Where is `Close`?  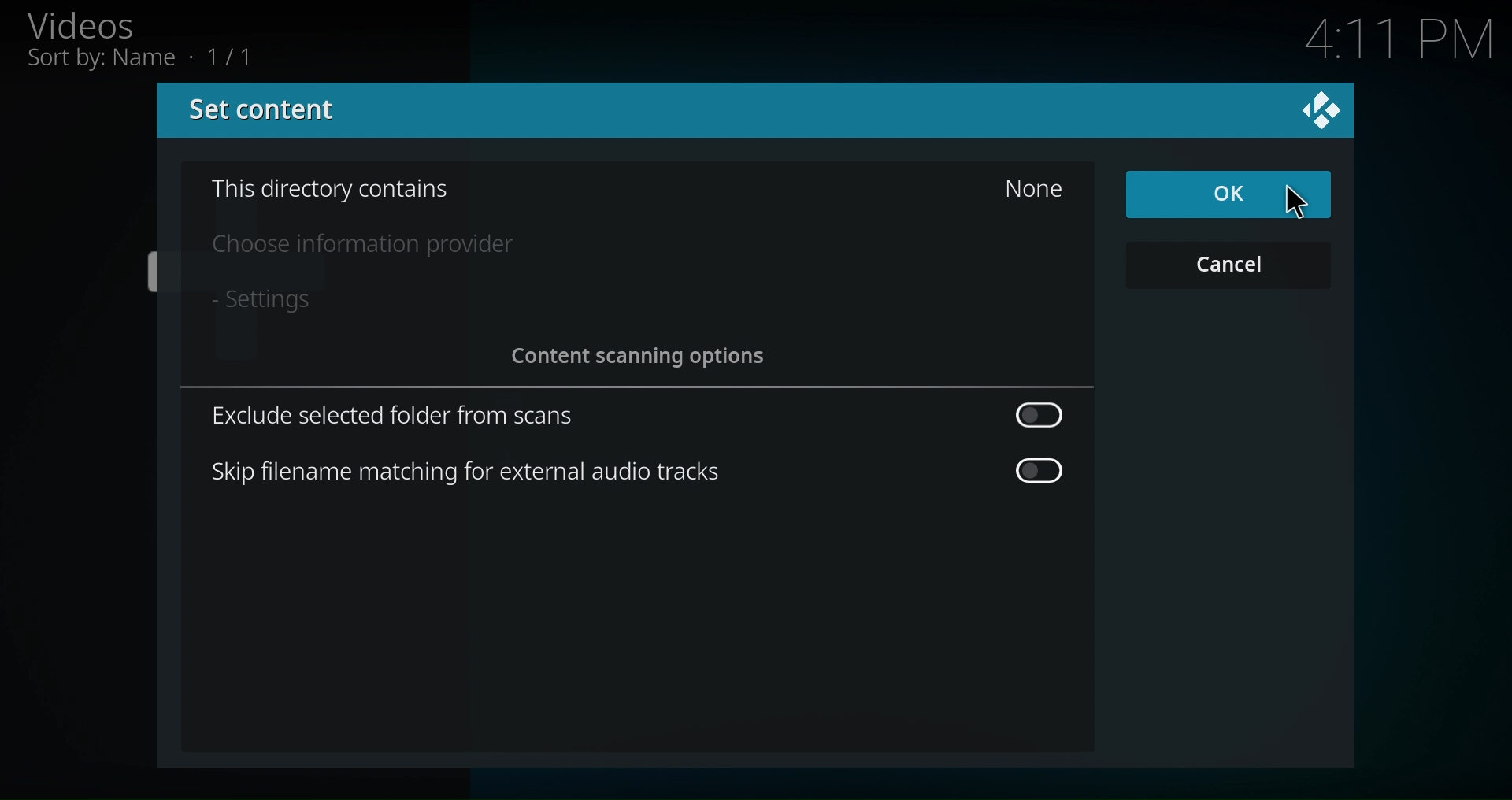 Close is located at coordinates (1321, 110).